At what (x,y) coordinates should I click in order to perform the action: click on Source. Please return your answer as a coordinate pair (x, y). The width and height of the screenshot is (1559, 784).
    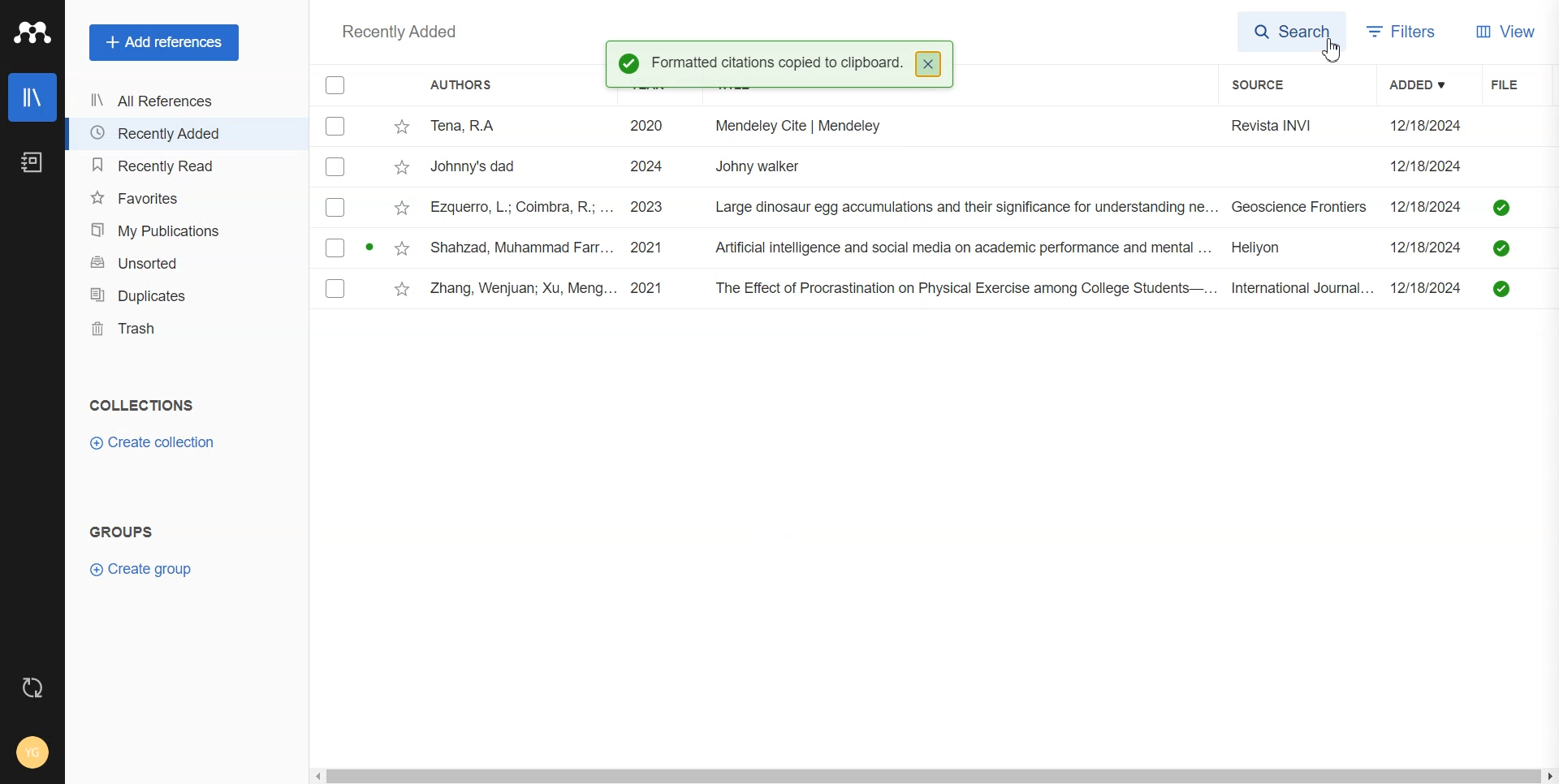
    Looking at the image, I should click on (1268, 86).